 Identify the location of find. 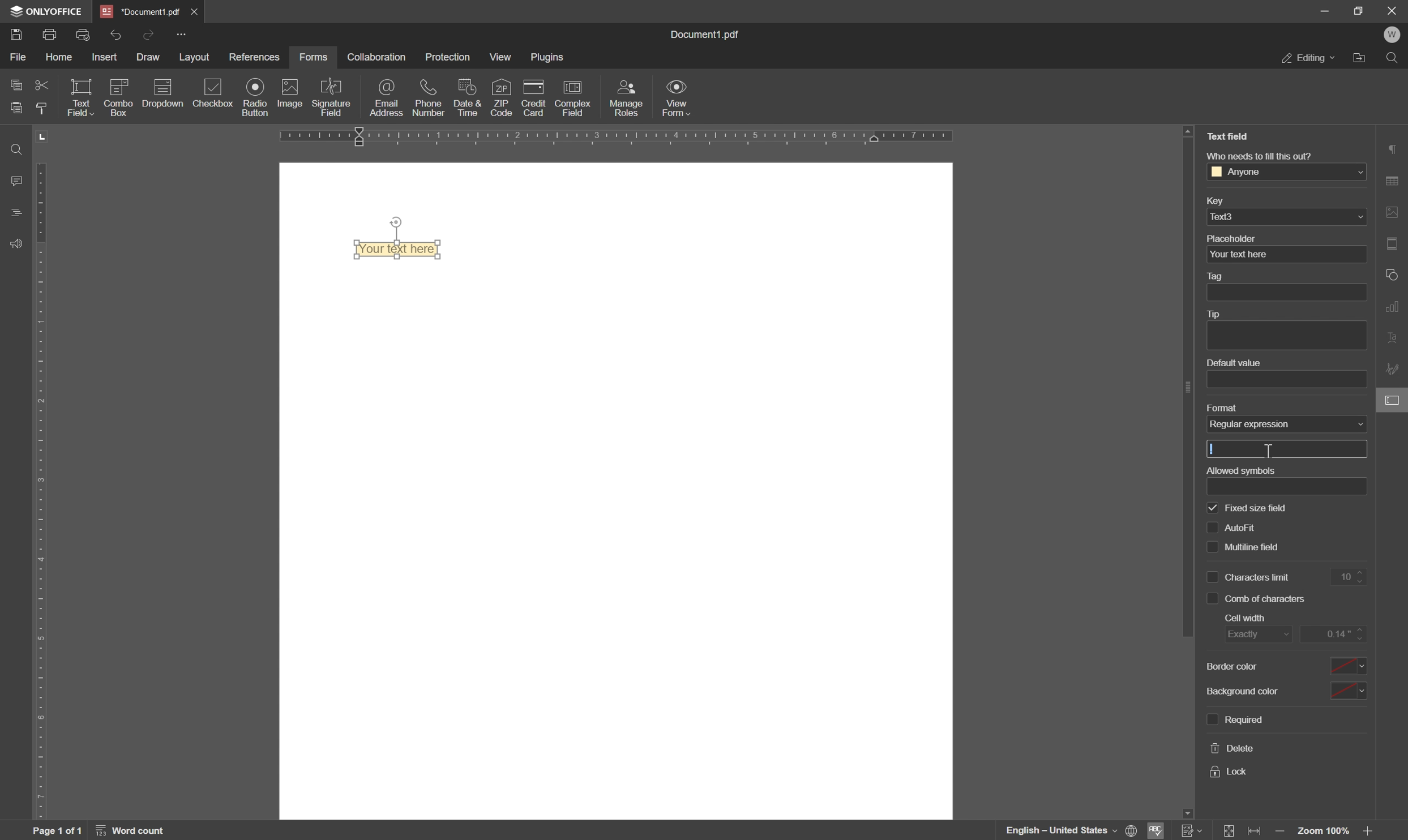
(13, 148).